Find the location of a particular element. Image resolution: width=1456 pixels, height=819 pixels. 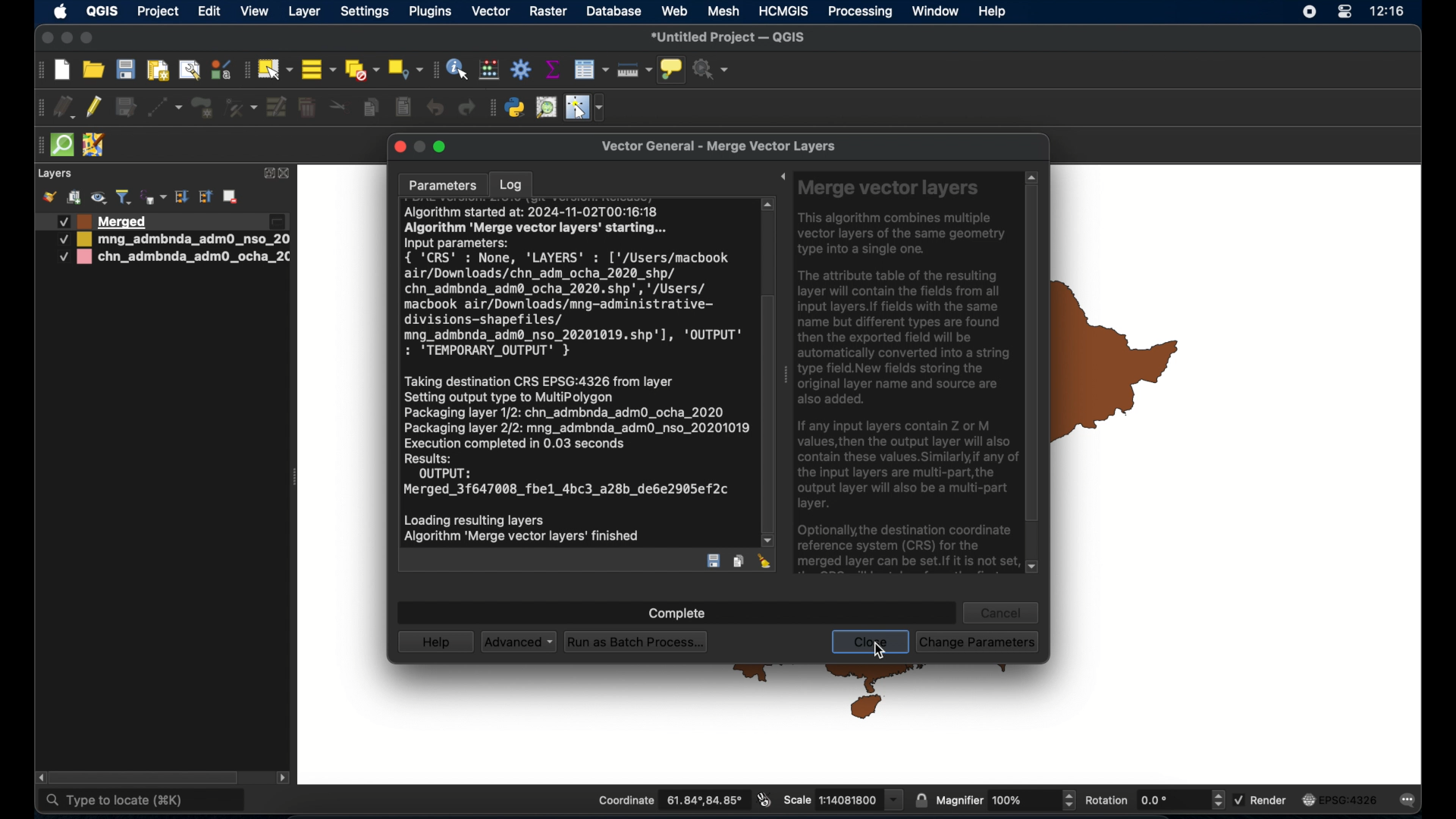

create new project is located at coordinates (63, 71).